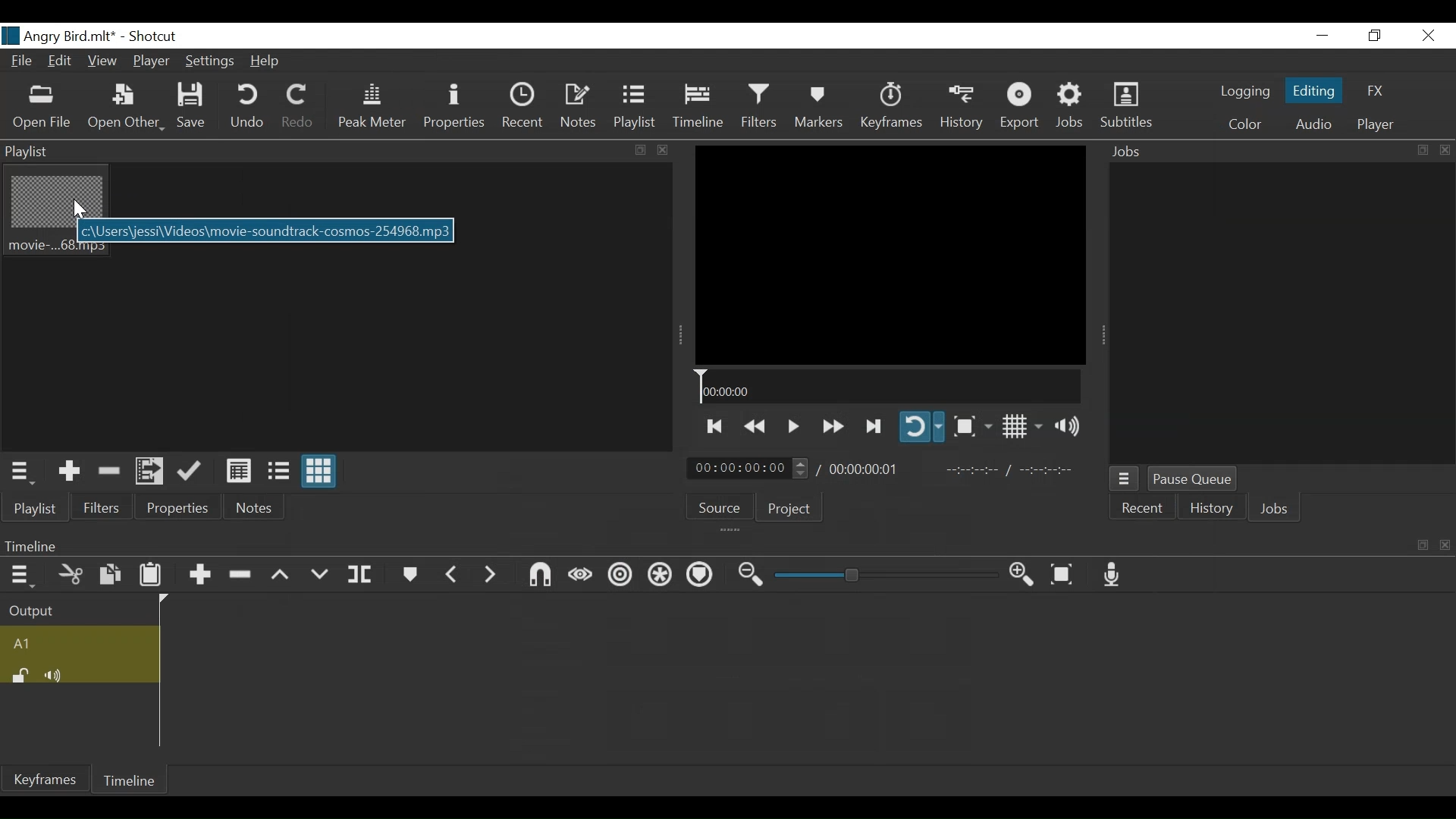 The image size is (1456, 819). I want to click on Copy, so click(110, 574).